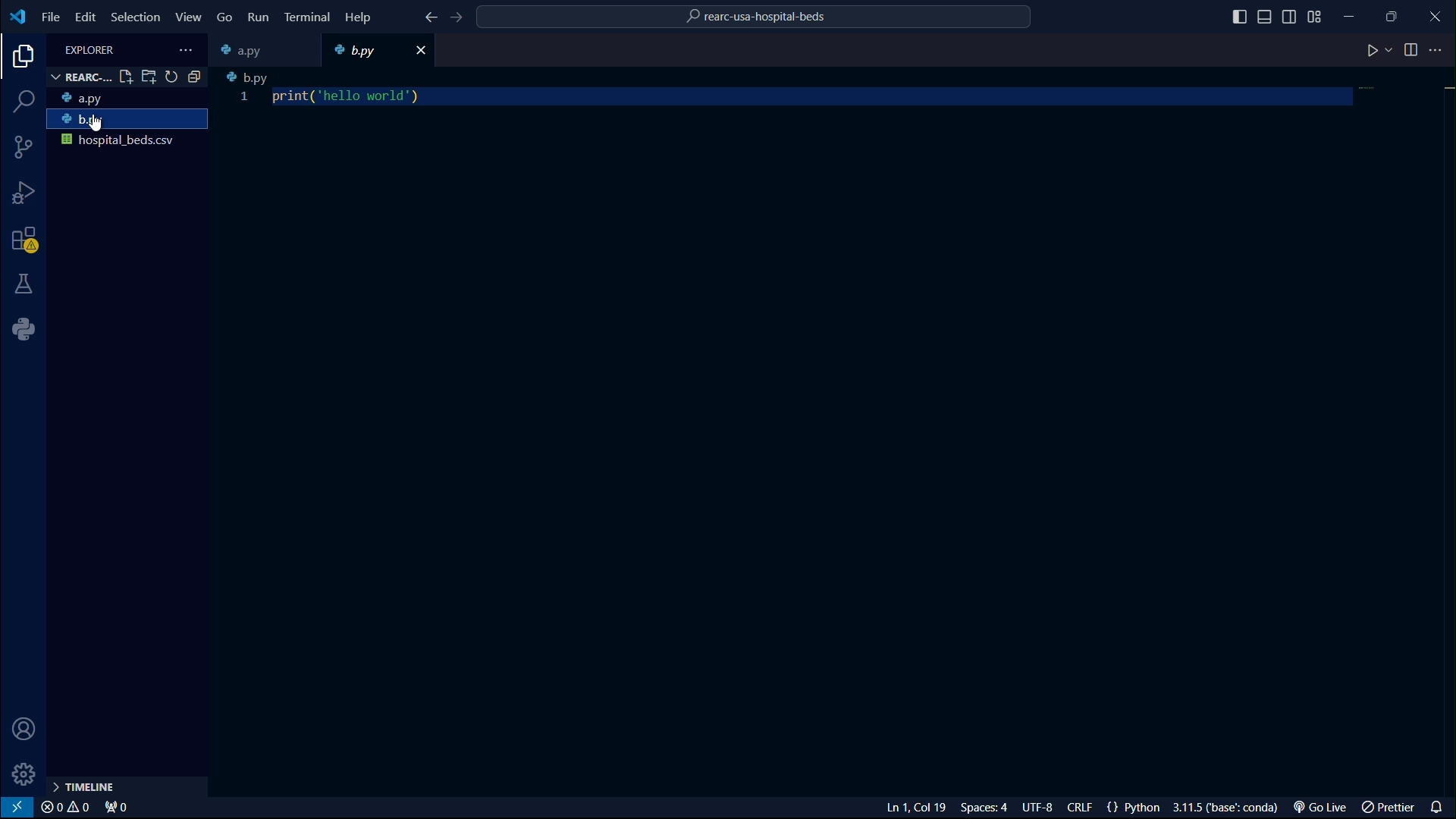 This screenshot has width=1456, height=819. What do you see at coordinates (84, 16) in the screenshot?
I see `edit menu` at bounding box center [84, 16].